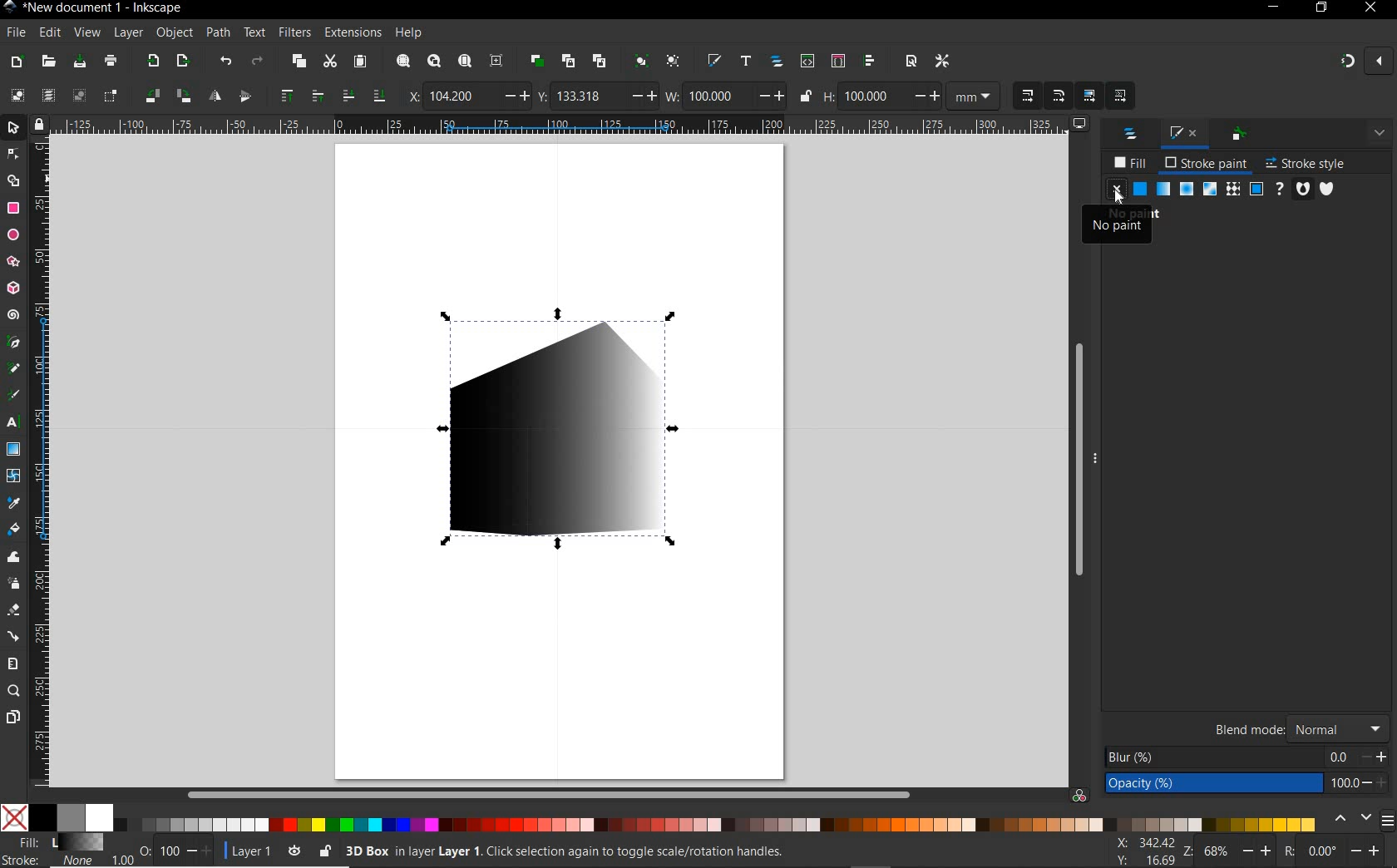 This screenshot has width=1397, height=868. Describe the element at coordinates (1258, 850) in the screenshot. I see `increase/decrease` at that location.